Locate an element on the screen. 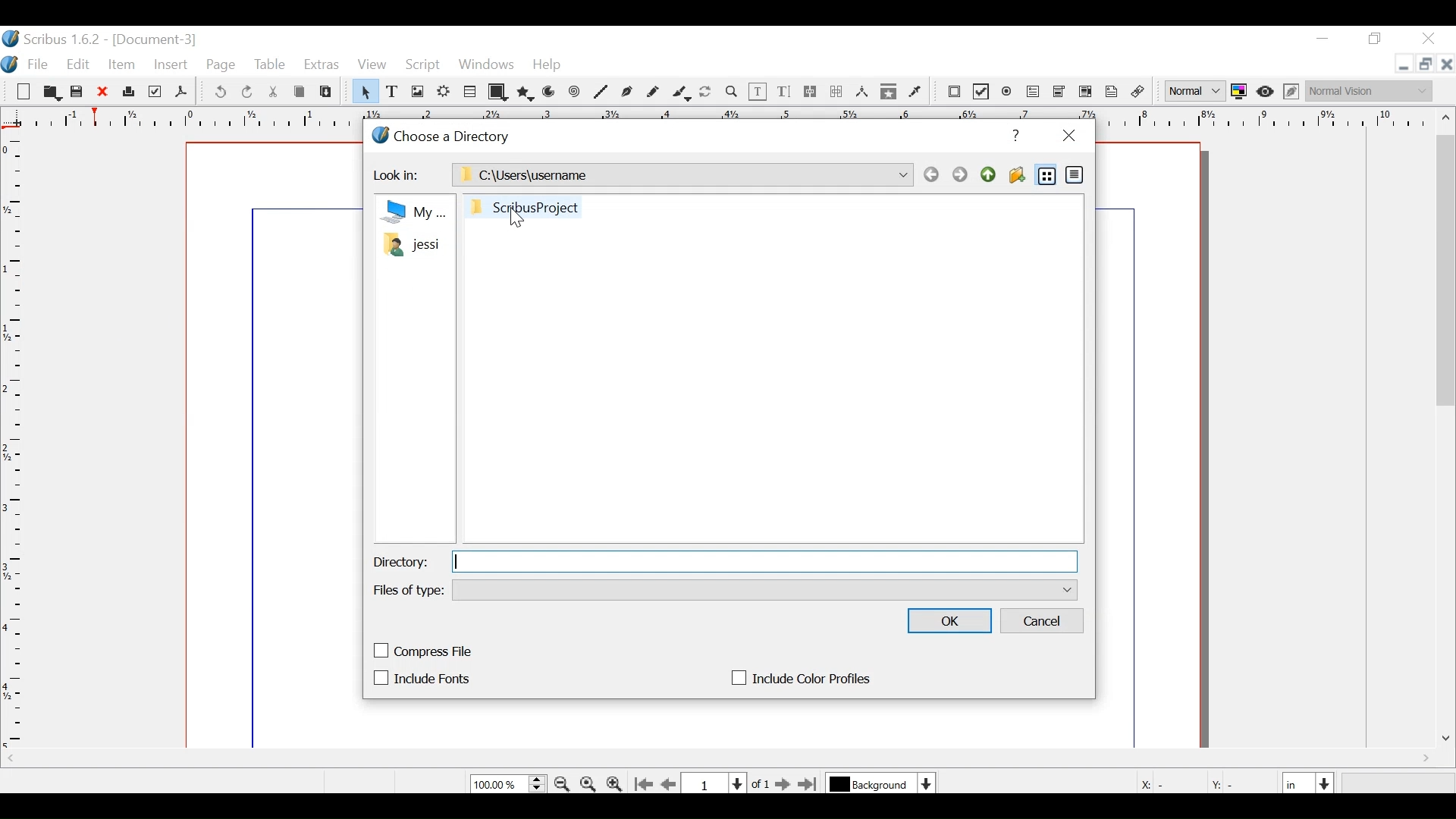  Edit contents of frame  is located at coordinates (758, 92).